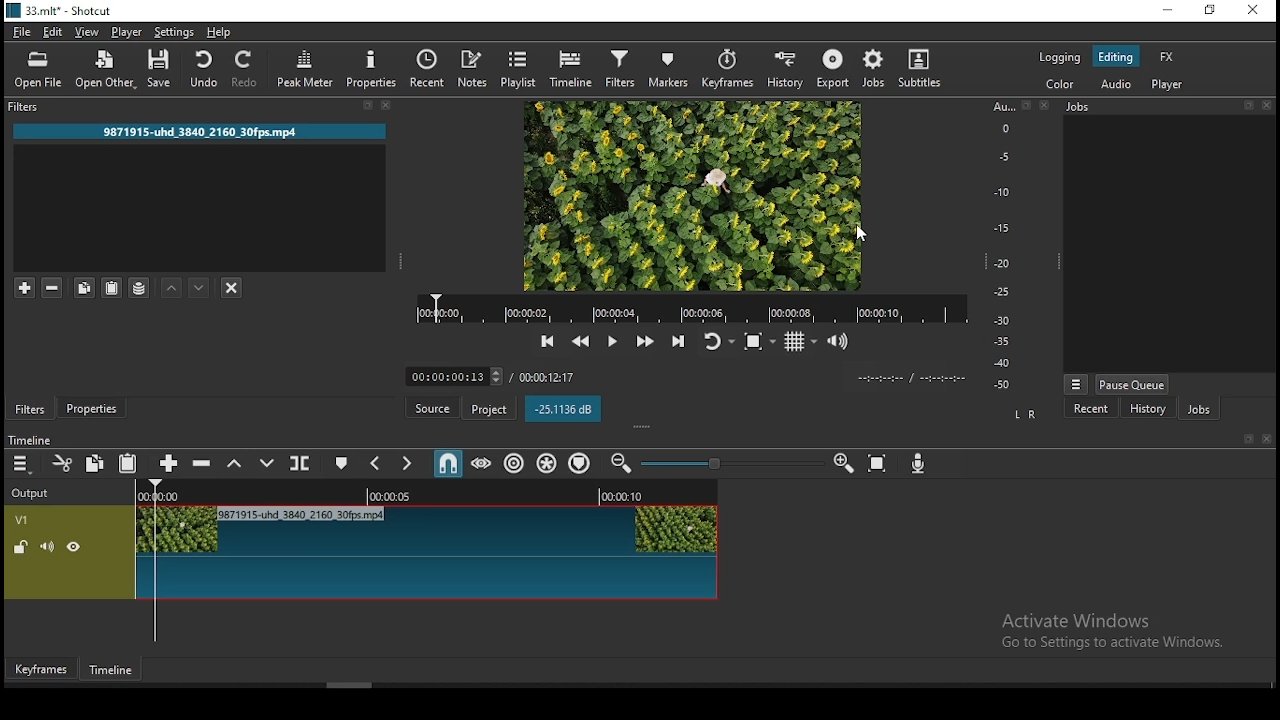 The height and width of the screenshot is (720, 1280). What do you see at coordinates (717, 342) in the screenshot?
I see `toggle player looping` at bounding box center [717, 342].